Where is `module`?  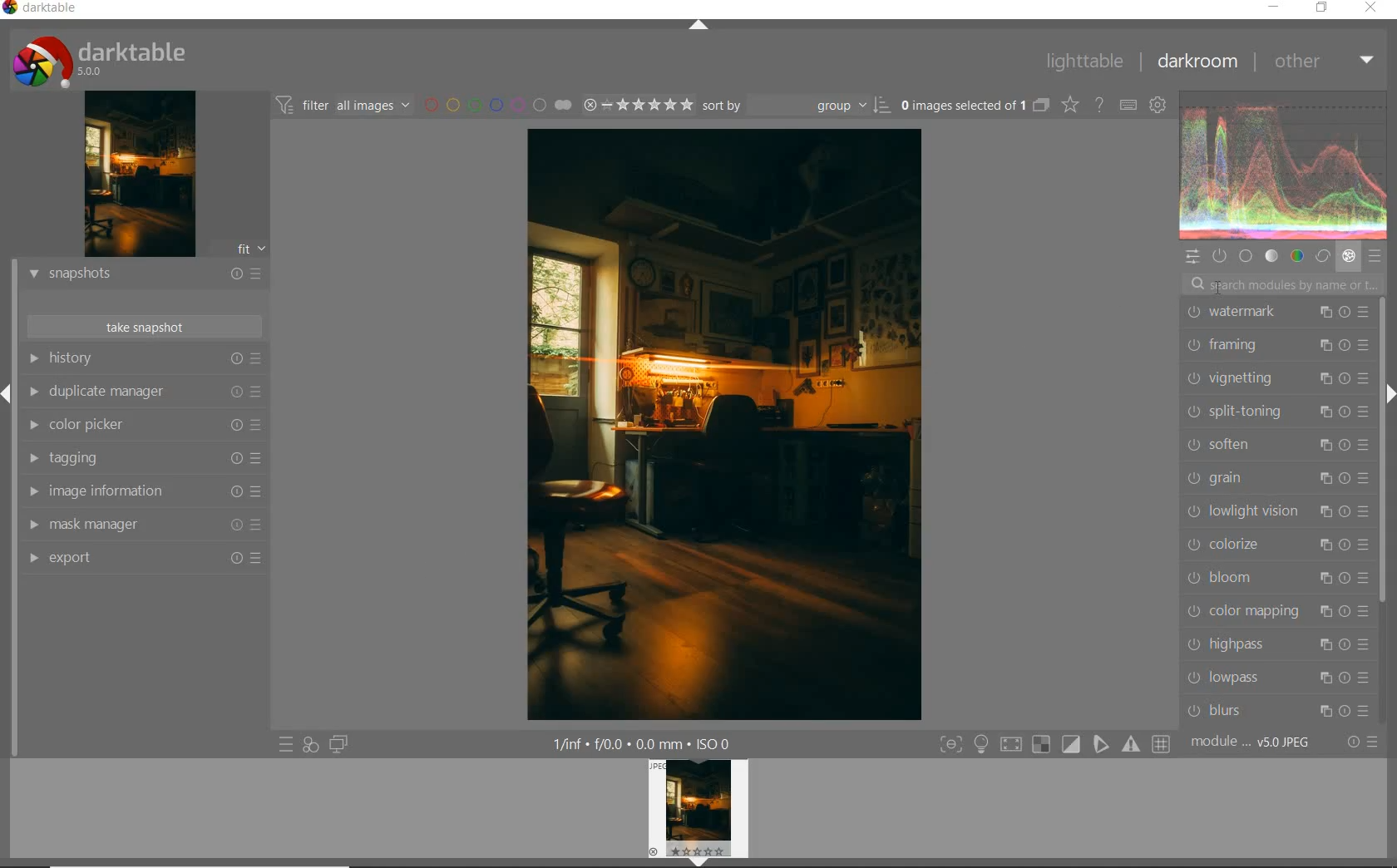
module is located at coordinates (1250, 740).